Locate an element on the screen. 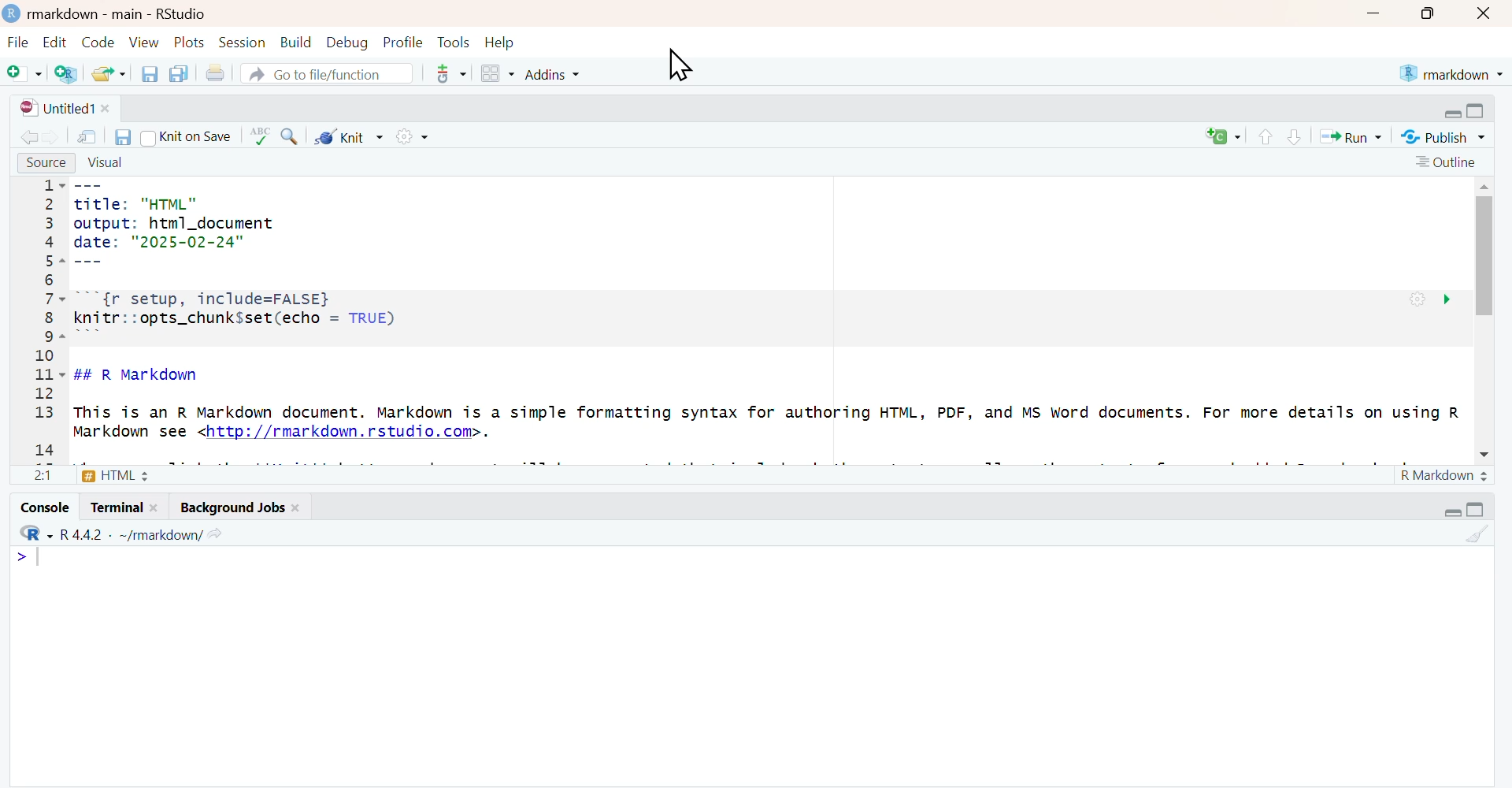  Vertical scrollbar is located at coordinates (1484, 250).